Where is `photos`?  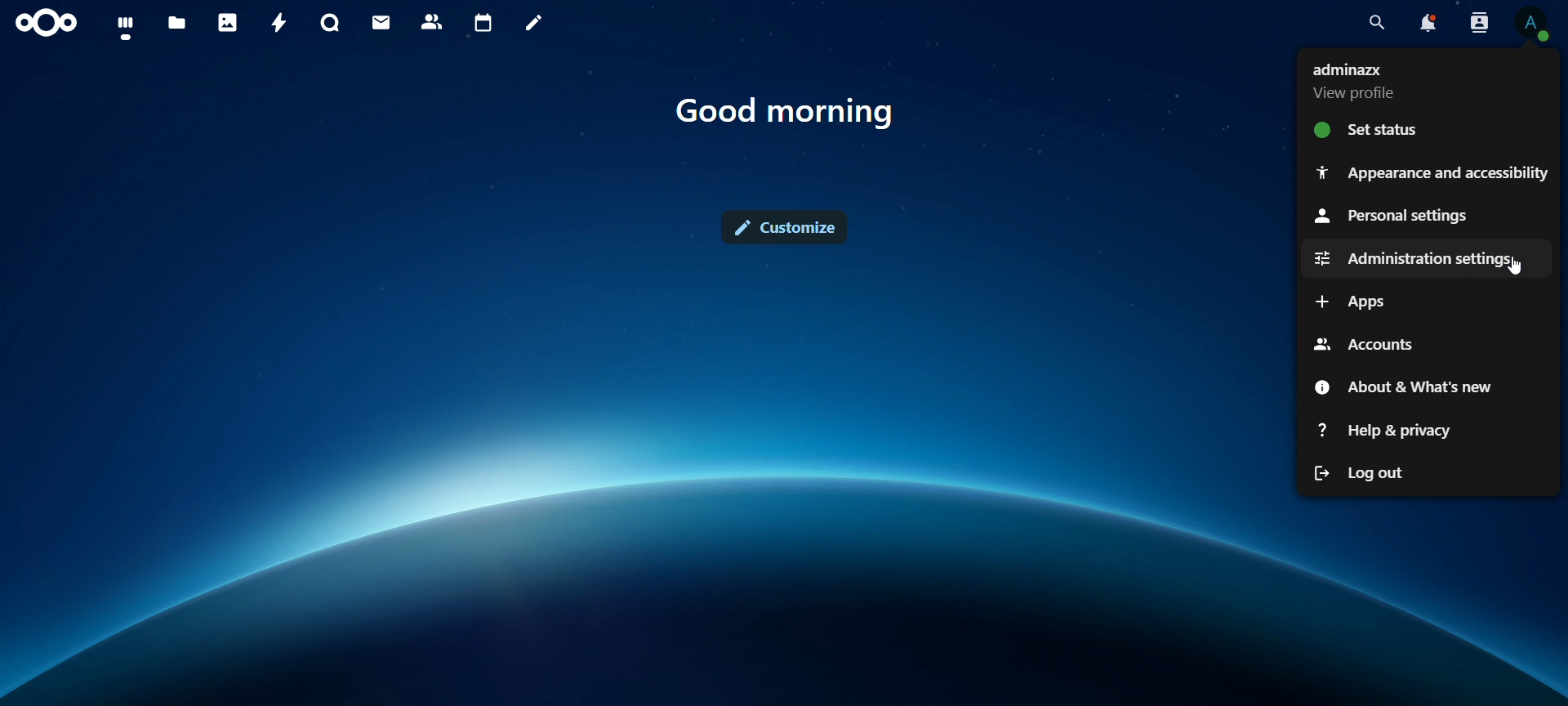
photos is located at coordinates (229, 21).